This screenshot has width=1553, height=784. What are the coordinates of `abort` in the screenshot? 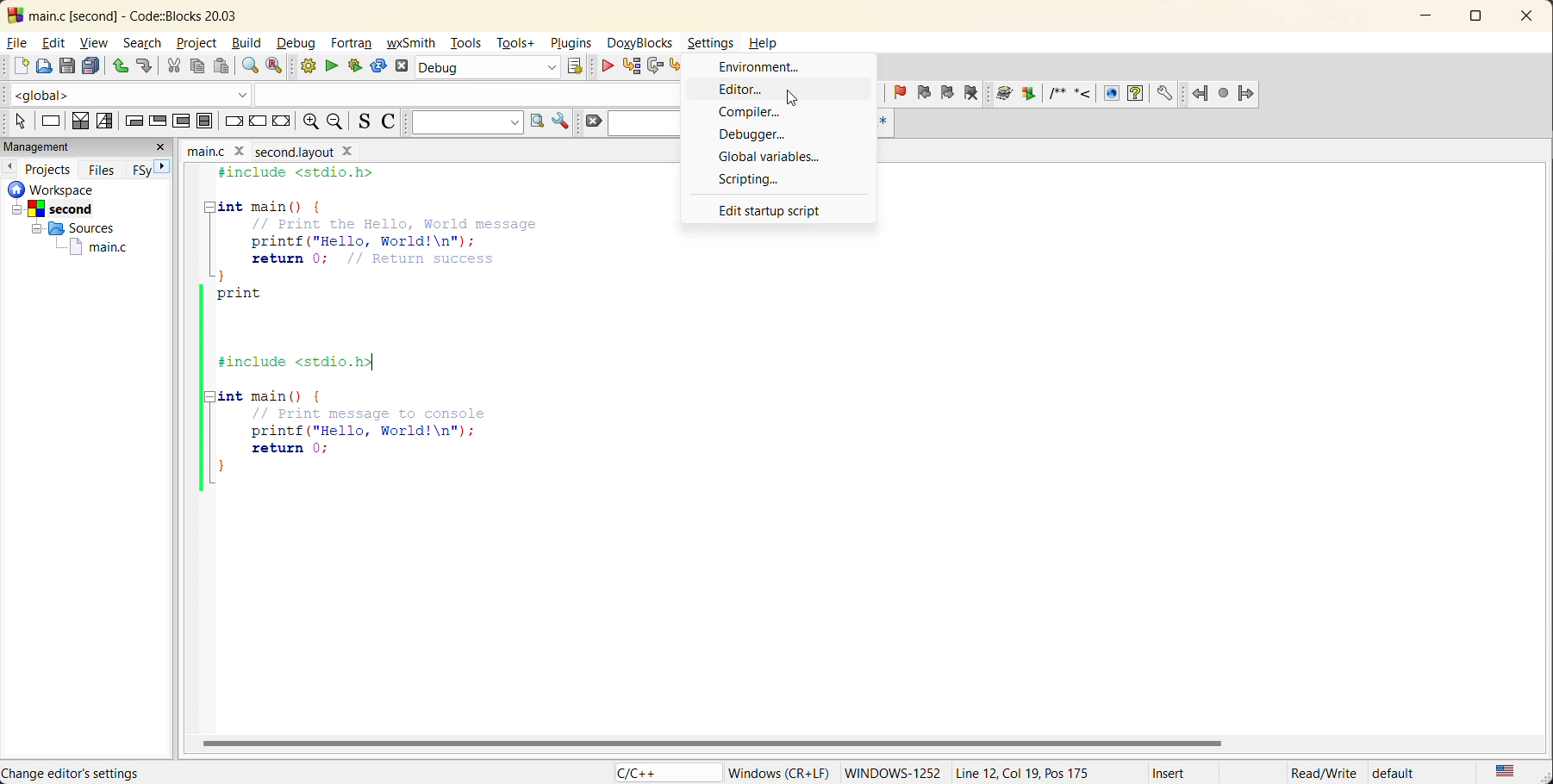 It's located at (405, 66).